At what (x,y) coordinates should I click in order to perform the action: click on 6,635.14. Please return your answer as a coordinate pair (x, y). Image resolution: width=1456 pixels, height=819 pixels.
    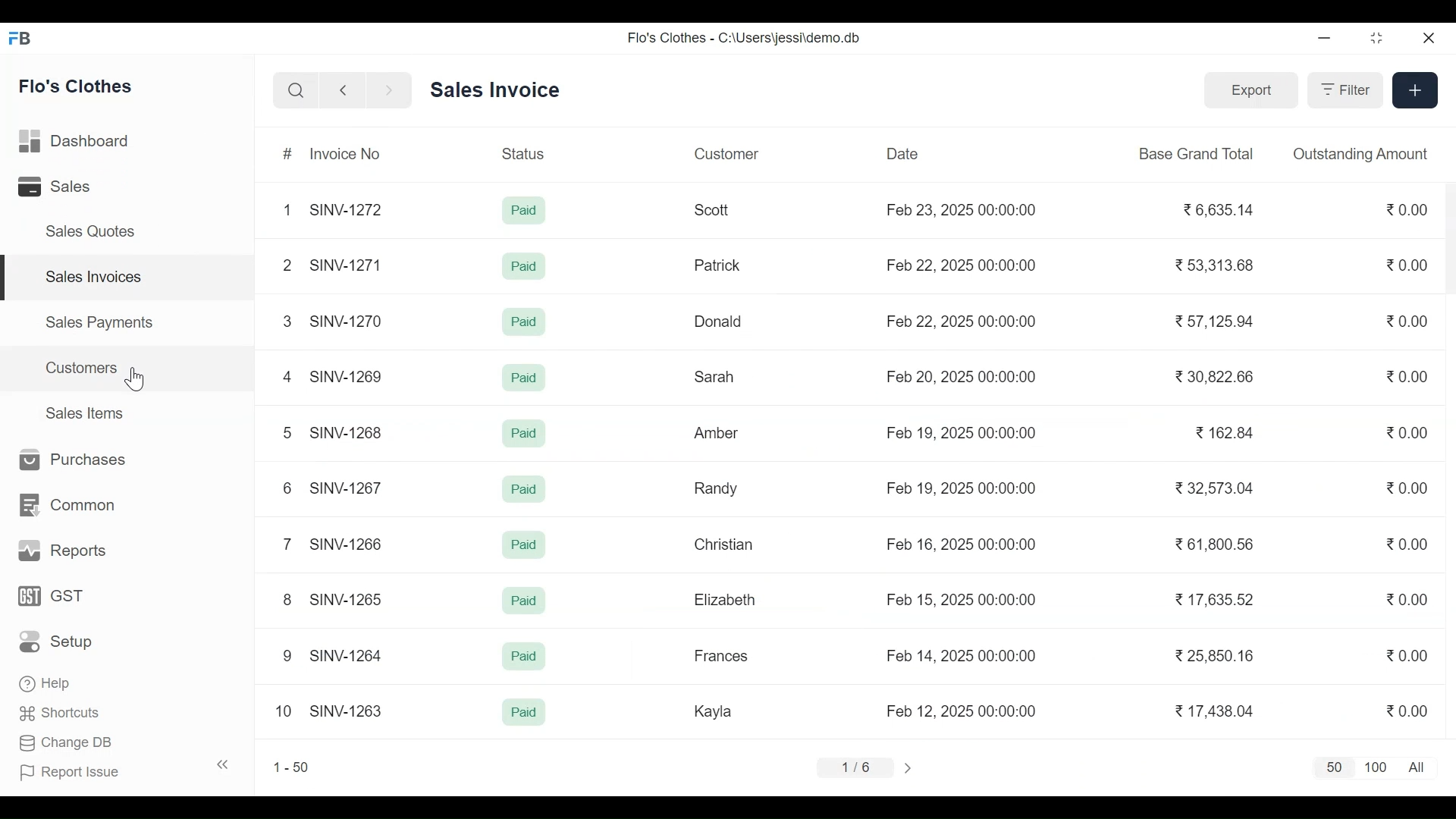
    Looking at the image, I should click on (1221, 209).